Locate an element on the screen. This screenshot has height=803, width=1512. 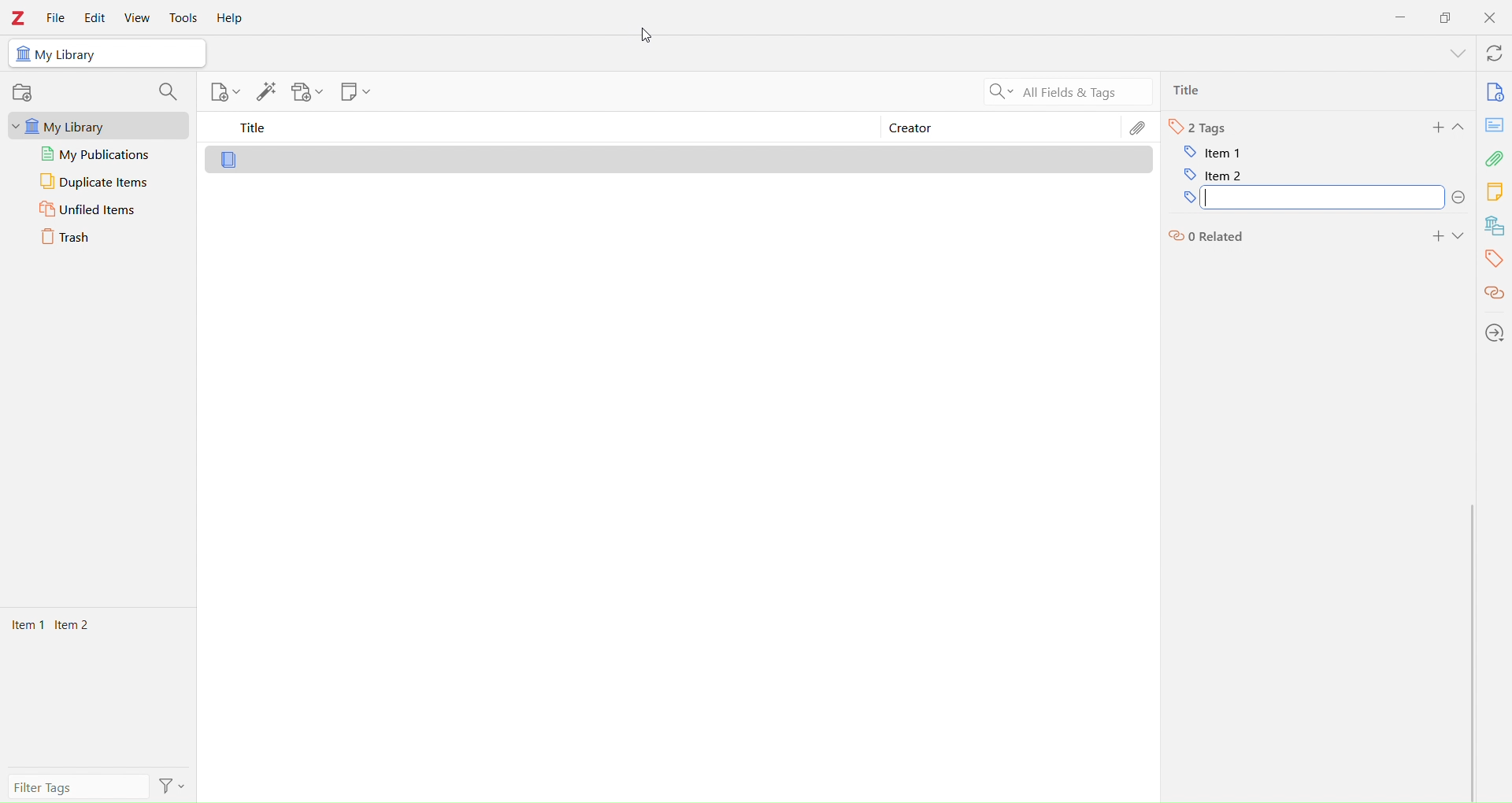
My publications is located at coordinates (96, 154).